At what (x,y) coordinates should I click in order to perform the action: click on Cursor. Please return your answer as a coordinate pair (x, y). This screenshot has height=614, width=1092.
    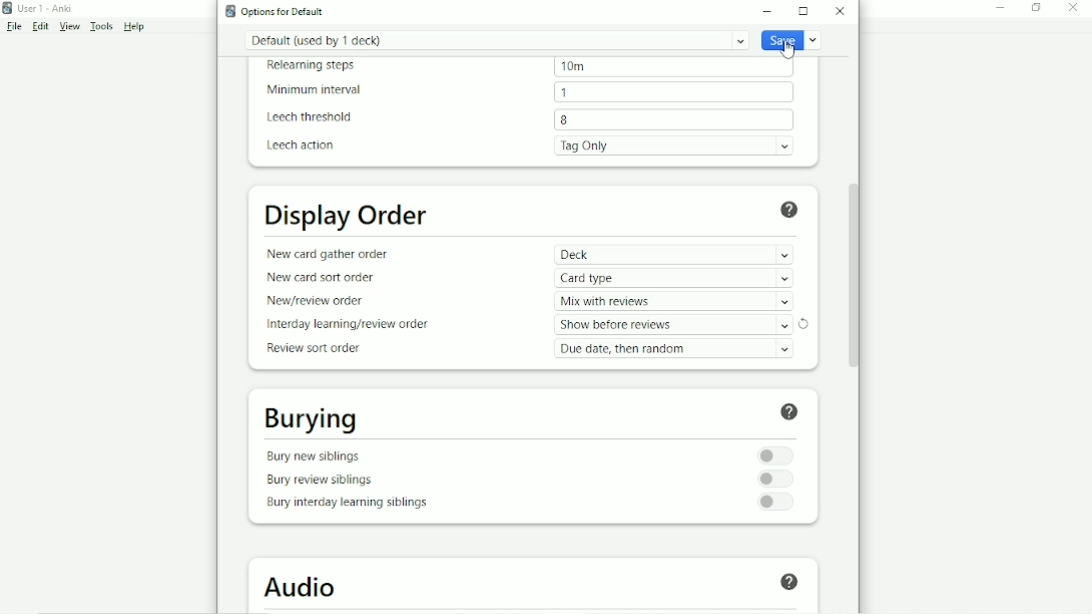
    Looking at the image, I should click on (788, 50).